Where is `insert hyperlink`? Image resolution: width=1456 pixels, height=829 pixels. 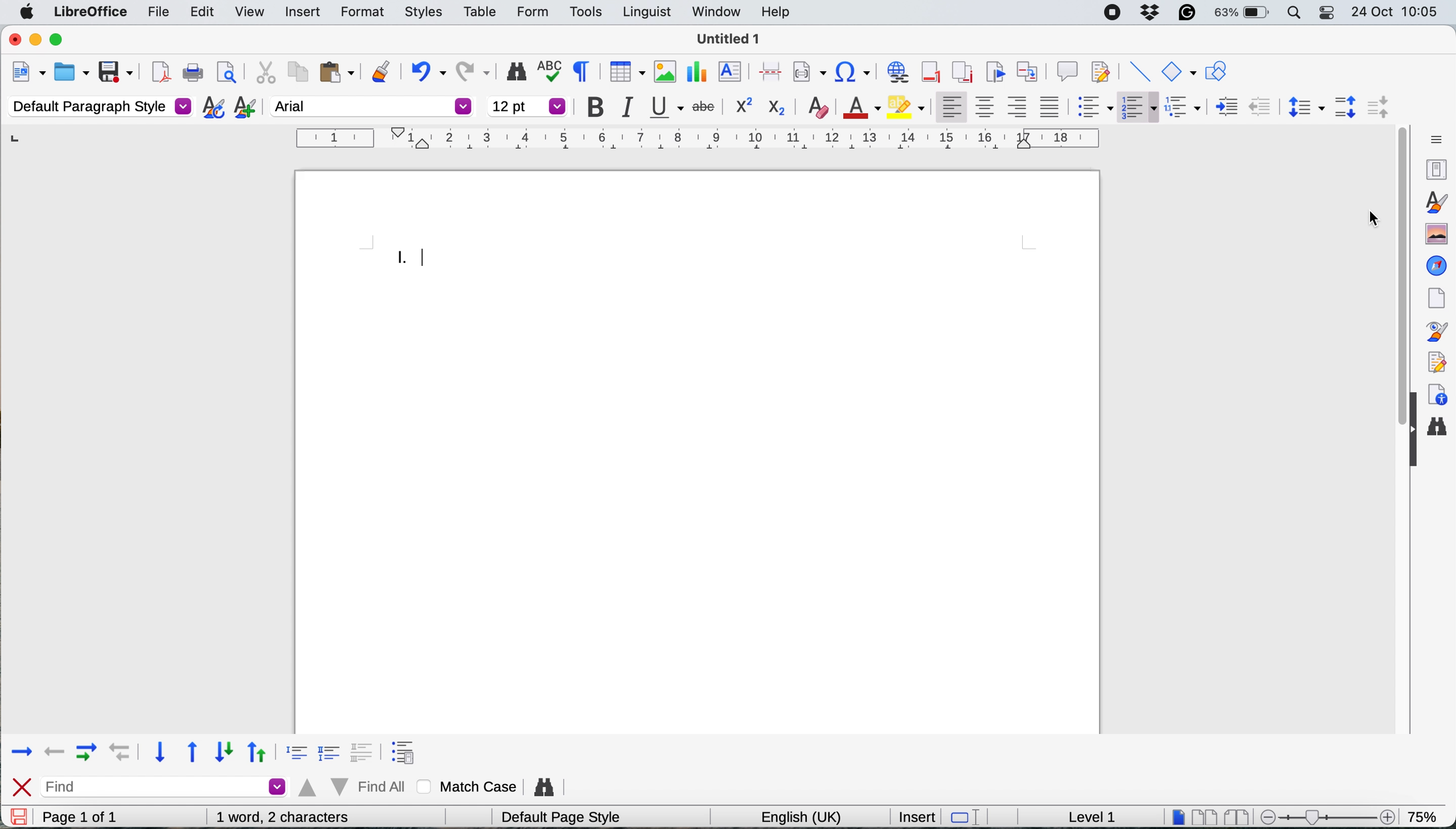
insert hyperlink is located at coordinates (897, 73).